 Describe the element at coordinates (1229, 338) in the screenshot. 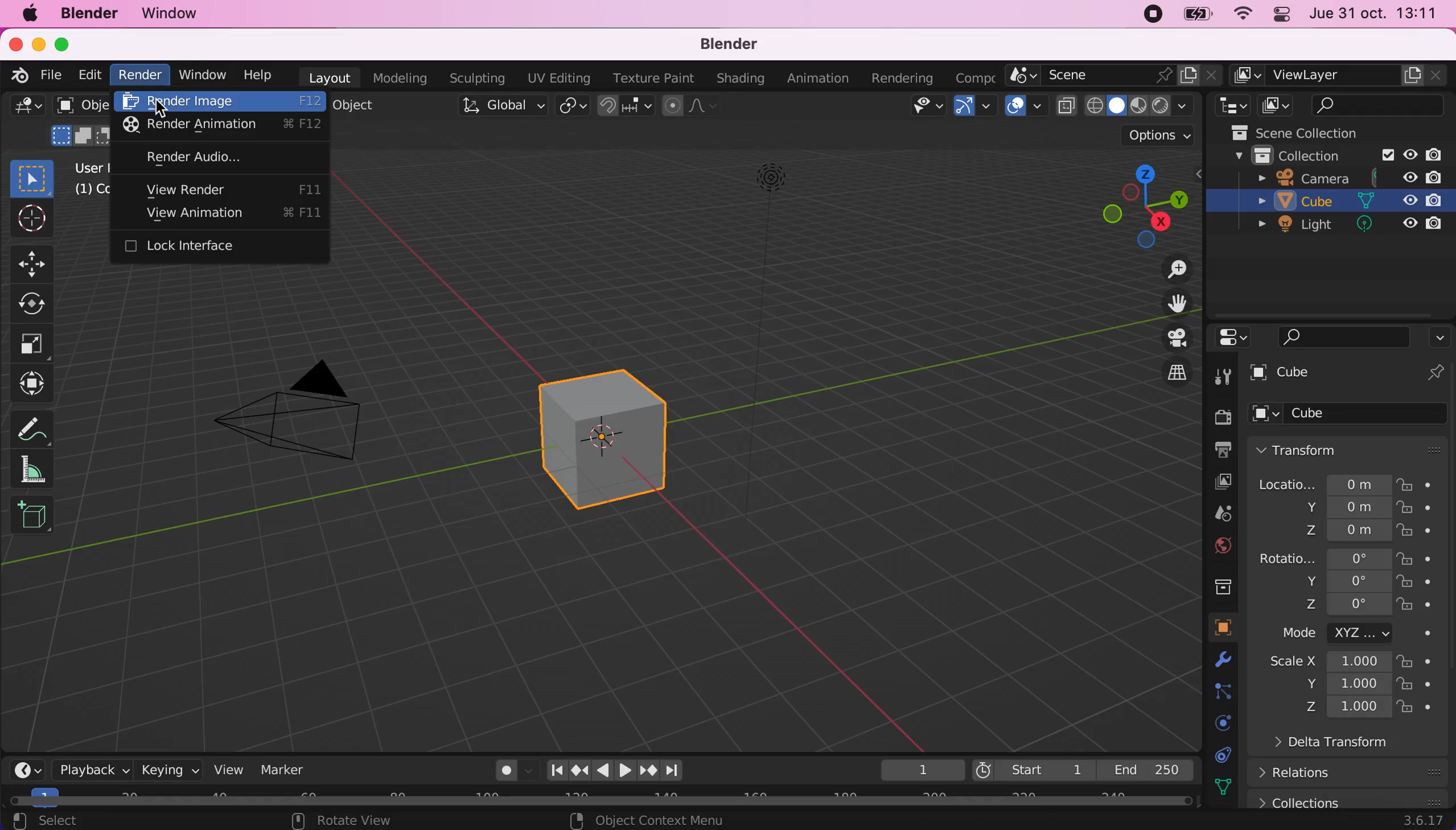

I see `editor type` at that location.